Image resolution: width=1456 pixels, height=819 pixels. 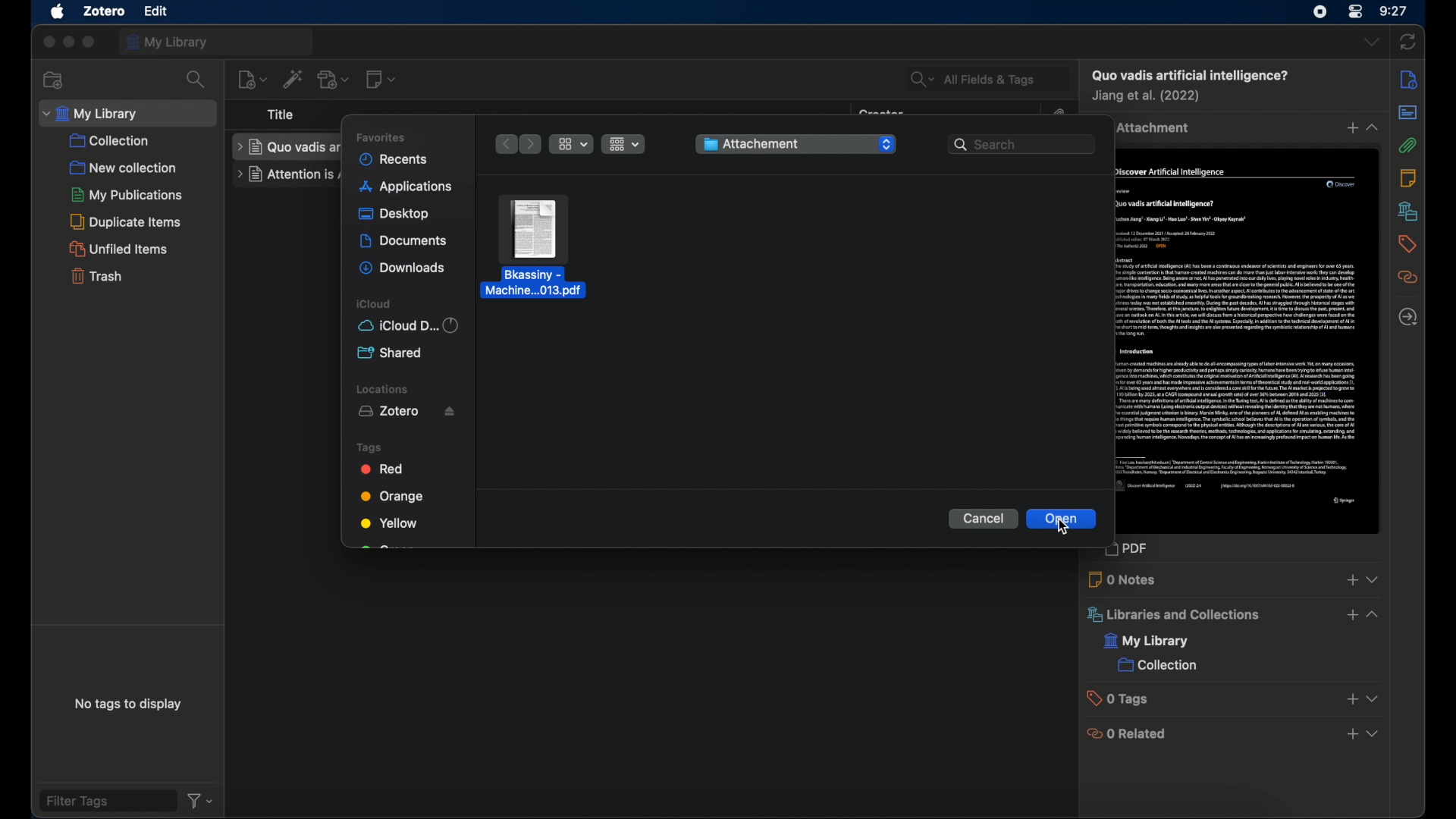 I want to click on maximize, so click(x=90, y=43).